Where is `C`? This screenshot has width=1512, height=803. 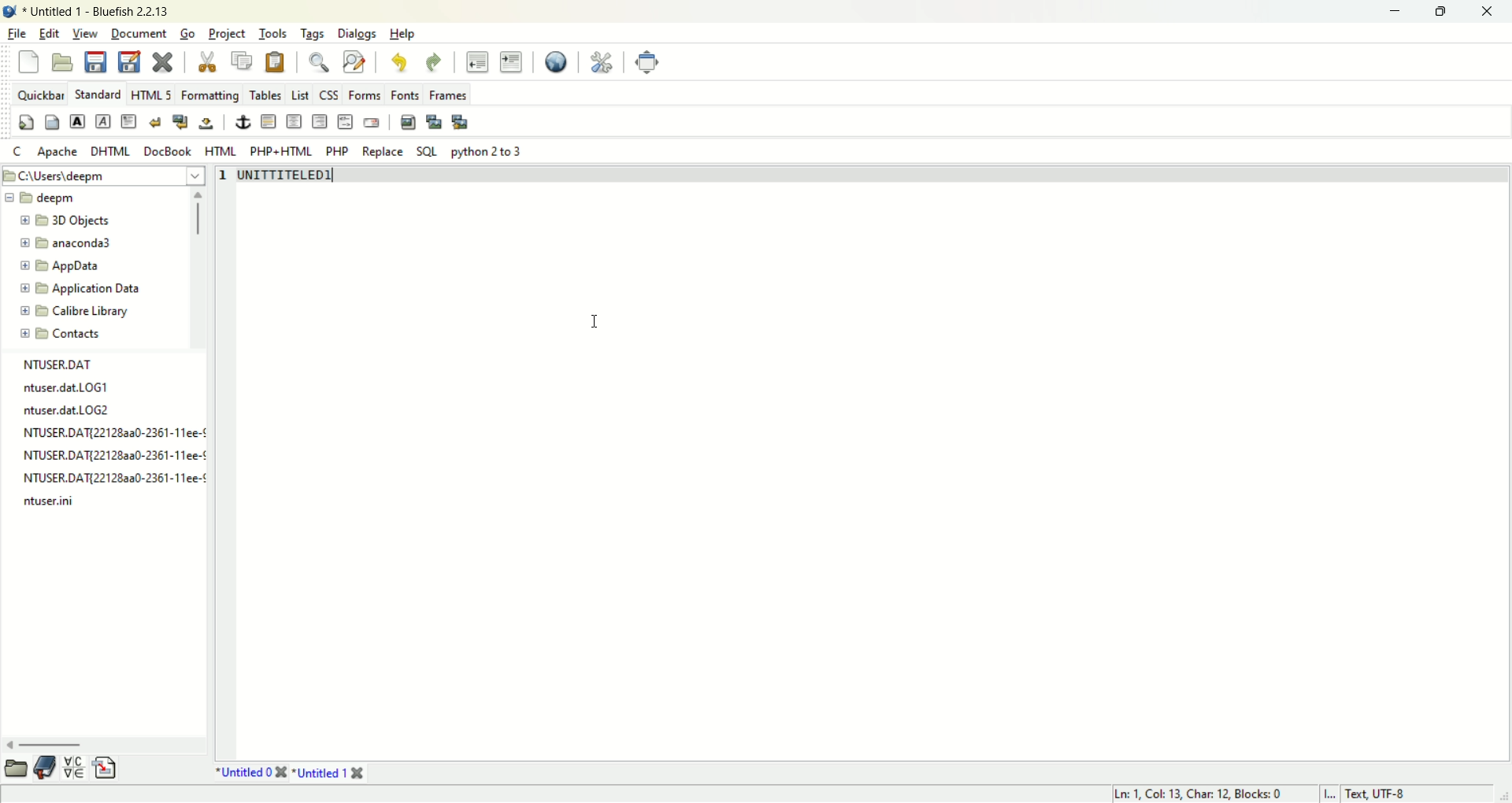 C is located at coordinates (17, 153).